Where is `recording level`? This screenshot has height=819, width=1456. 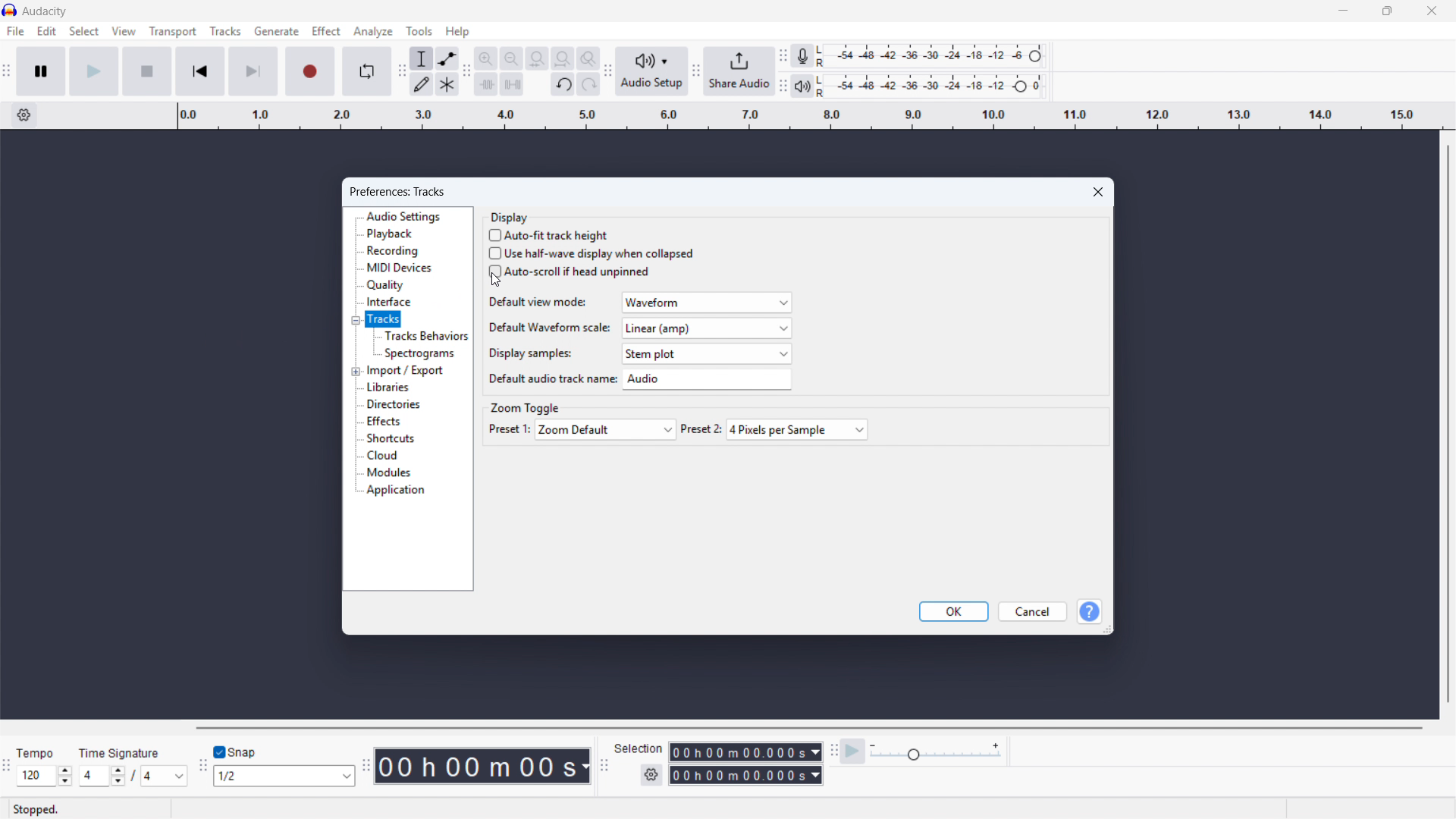
recording level is located at coordinates (934, 56).